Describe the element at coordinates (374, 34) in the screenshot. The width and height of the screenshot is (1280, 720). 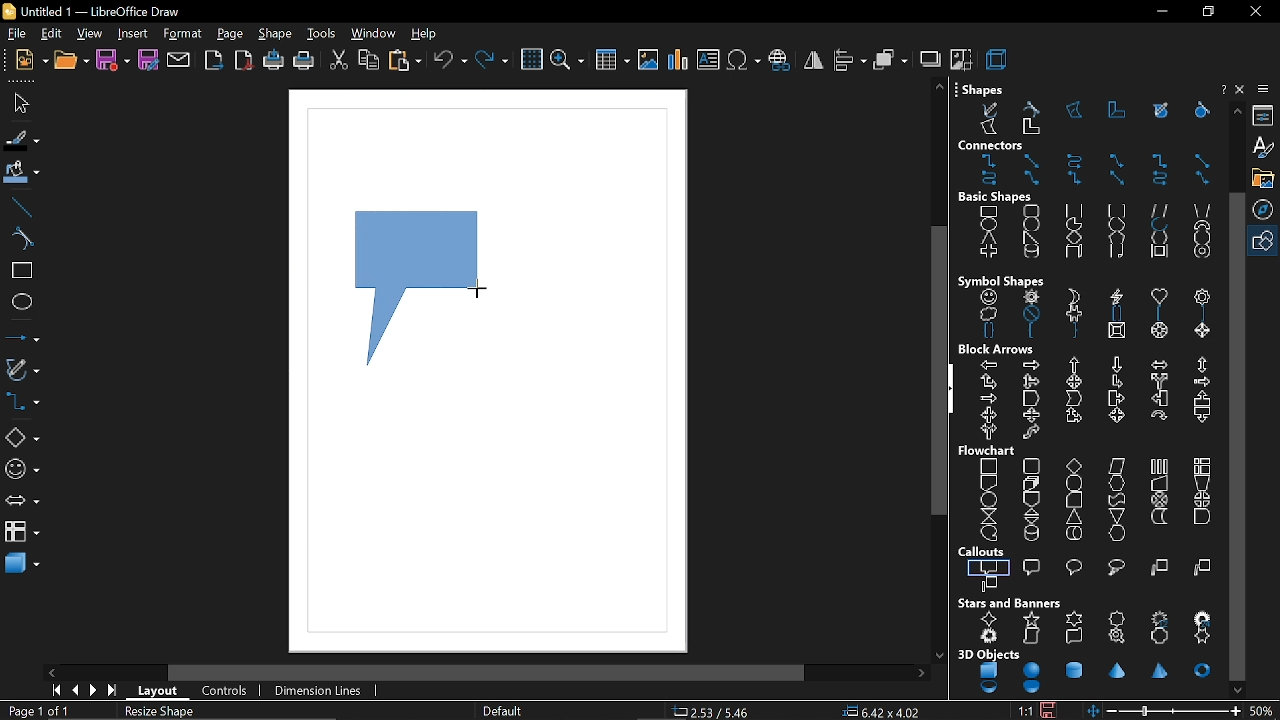
I see `window` at that location.